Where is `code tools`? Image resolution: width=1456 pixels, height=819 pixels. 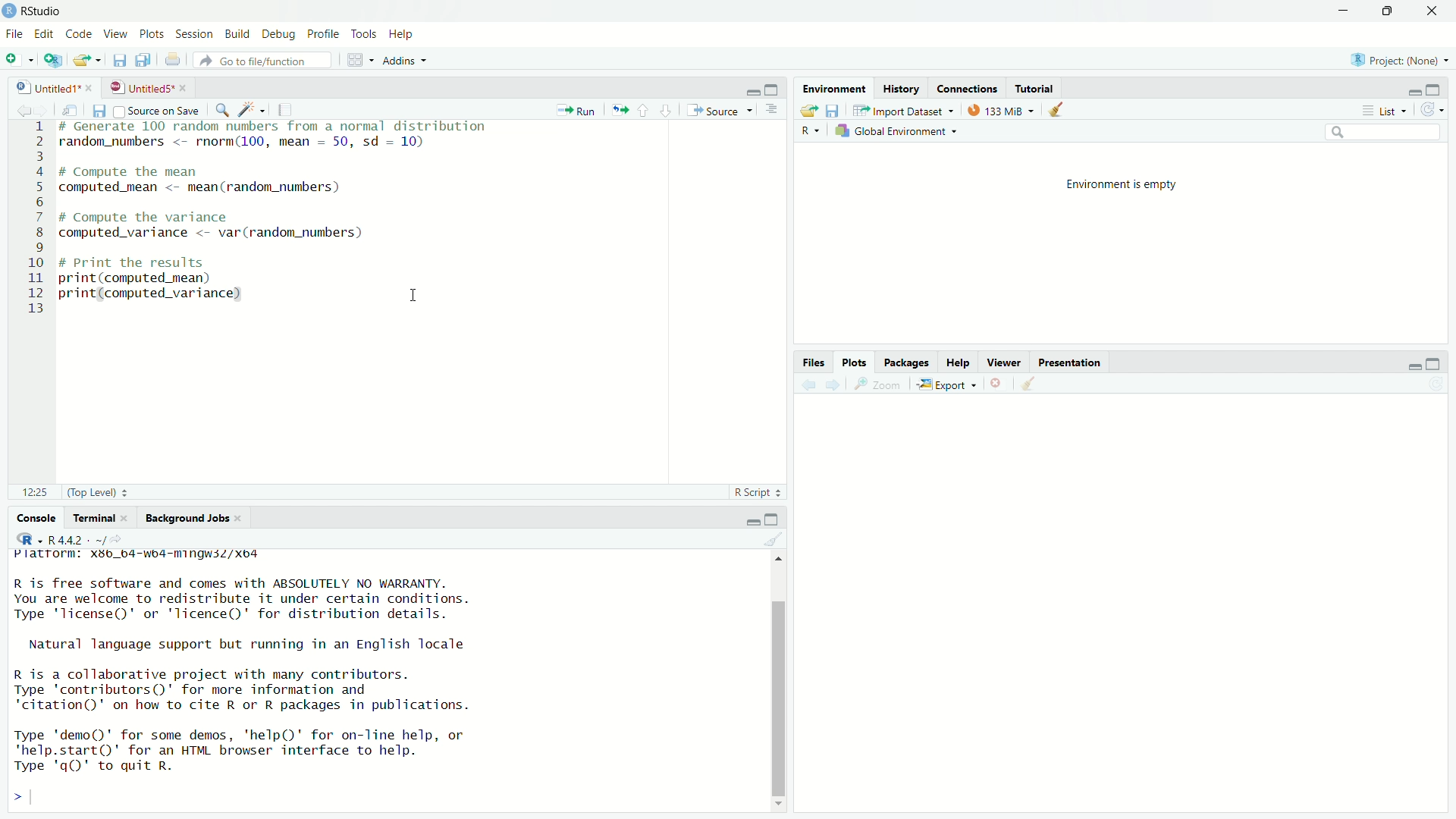 code tools is located at coordinates (250, 109).